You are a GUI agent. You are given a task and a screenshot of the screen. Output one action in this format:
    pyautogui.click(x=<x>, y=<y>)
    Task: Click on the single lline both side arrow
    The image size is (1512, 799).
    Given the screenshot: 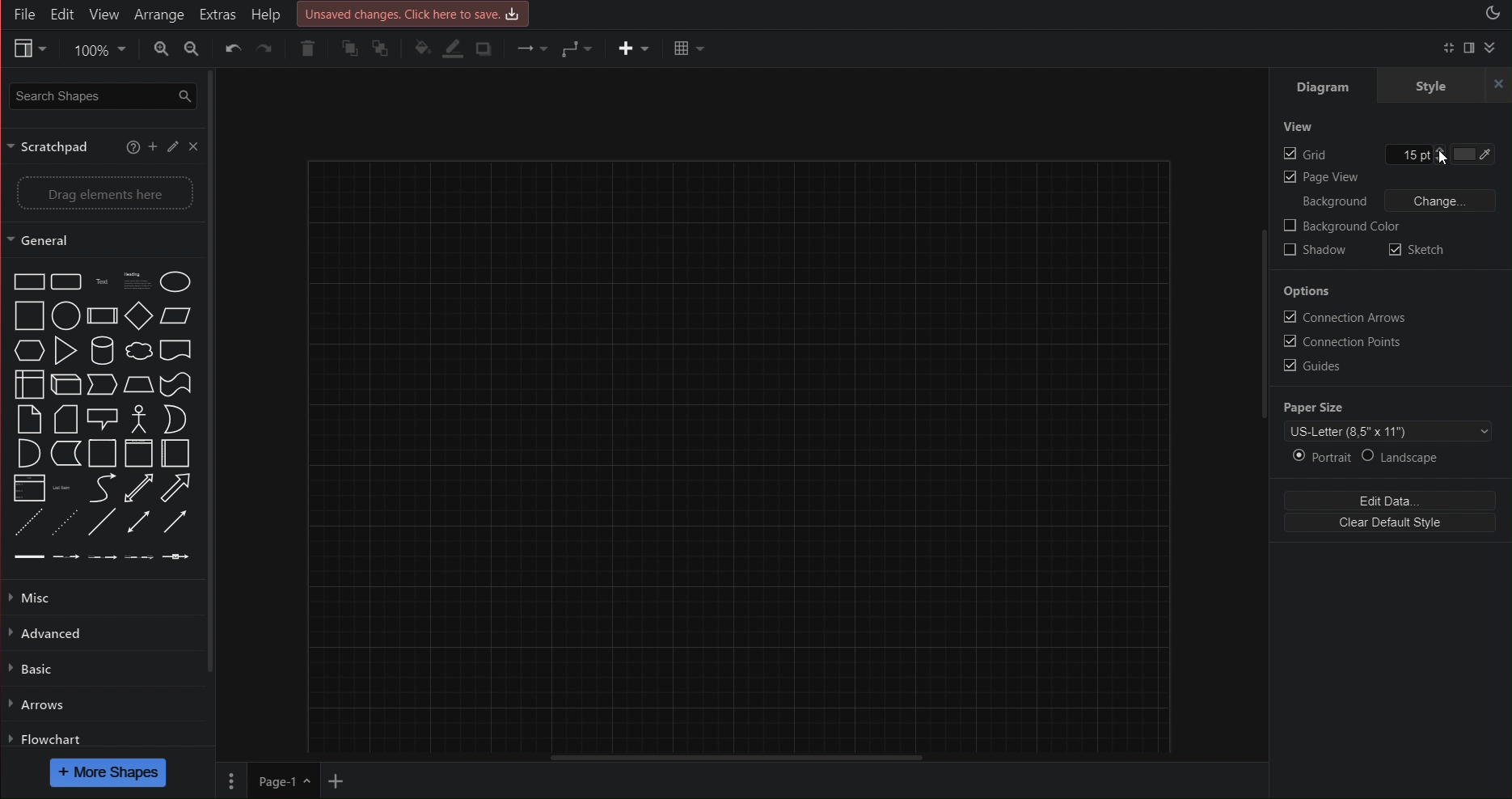 What is the action you would take?
    pyautogui.click(x=137, y=522)
    